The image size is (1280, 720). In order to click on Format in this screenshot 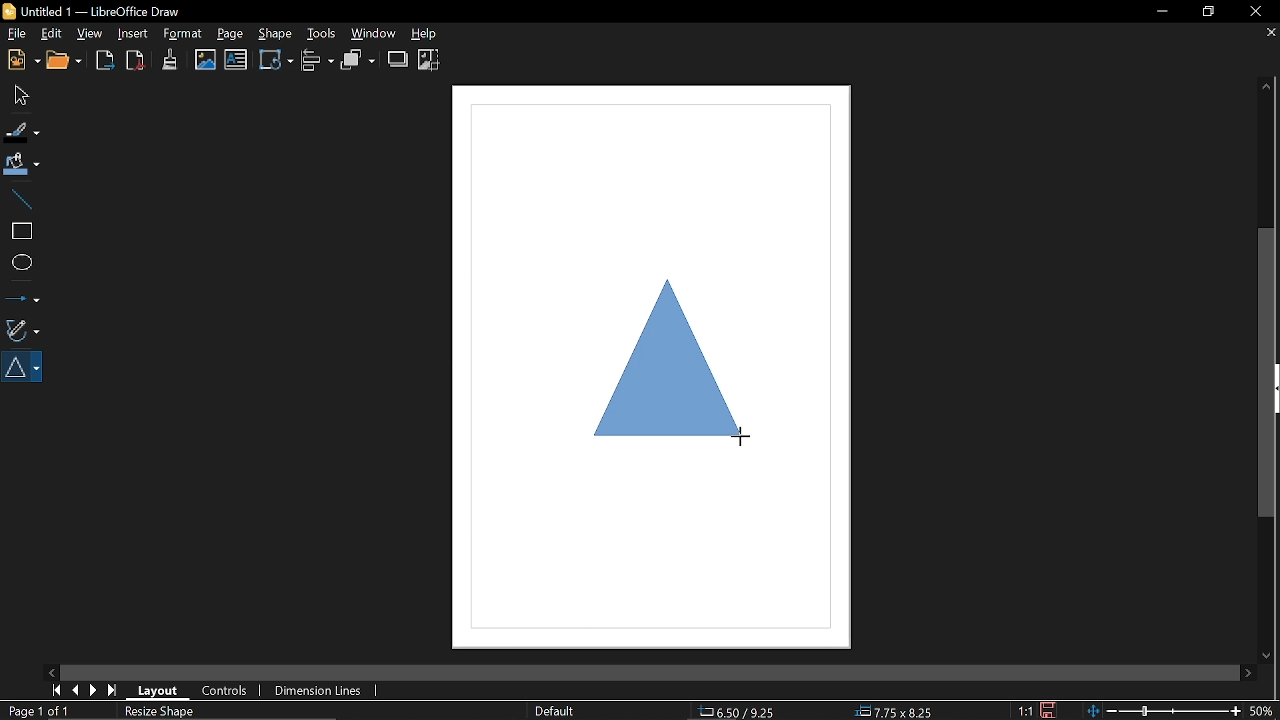, I will do `click(182, 34)`.